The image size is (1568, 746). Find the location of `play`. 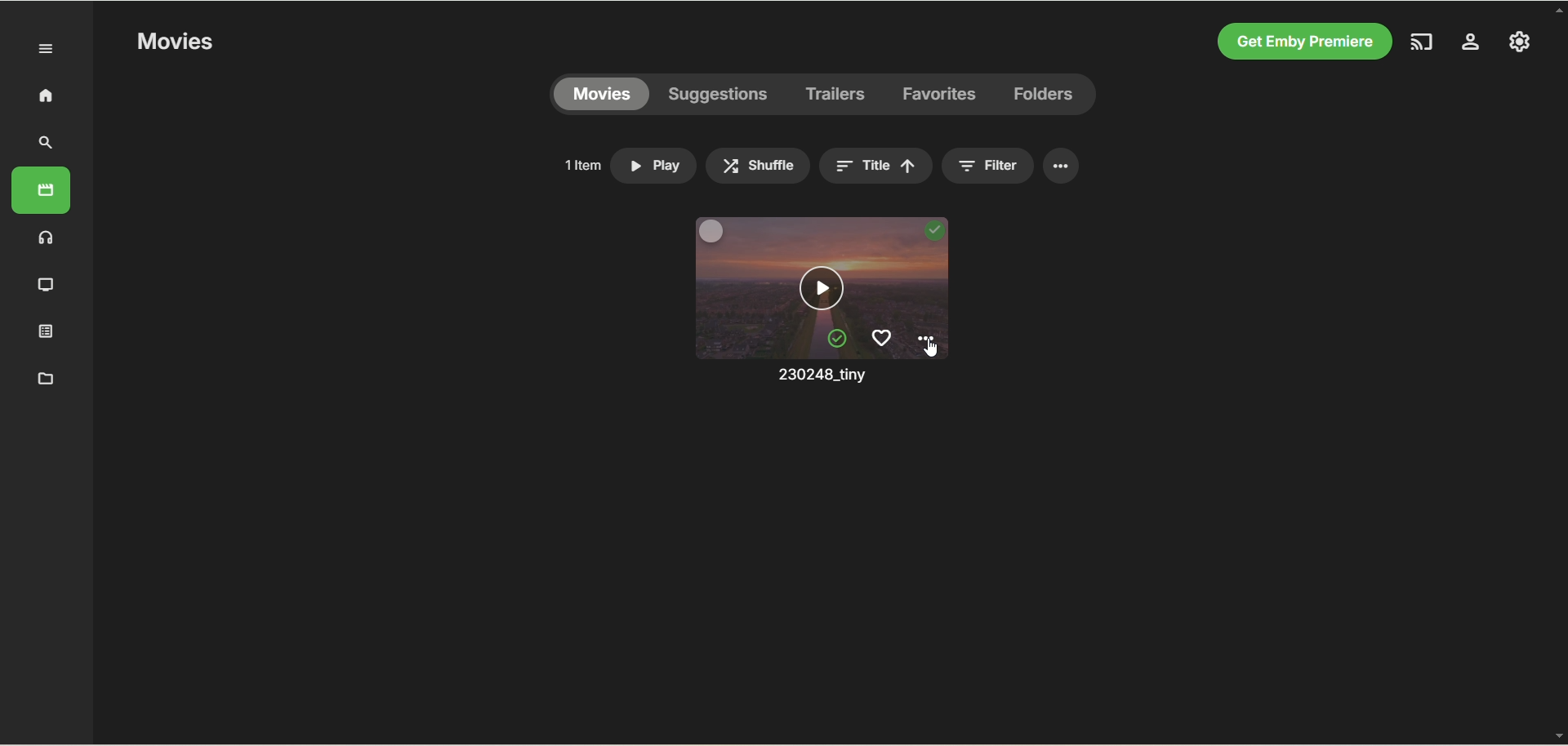

play is located at coordinates (822, 288).